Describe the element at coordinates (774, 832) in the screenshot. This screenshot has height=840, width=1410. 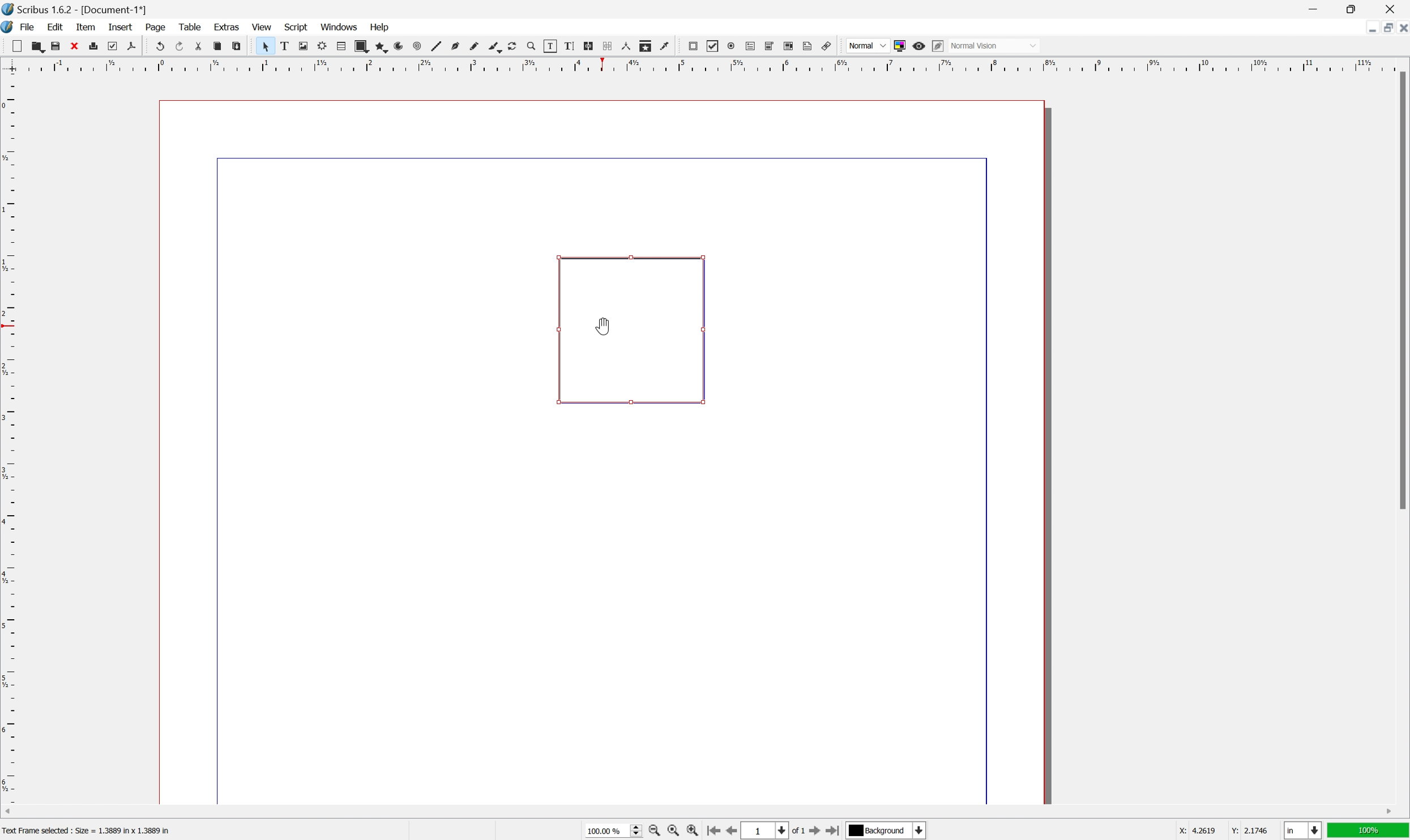
I see `select current page` at that location.